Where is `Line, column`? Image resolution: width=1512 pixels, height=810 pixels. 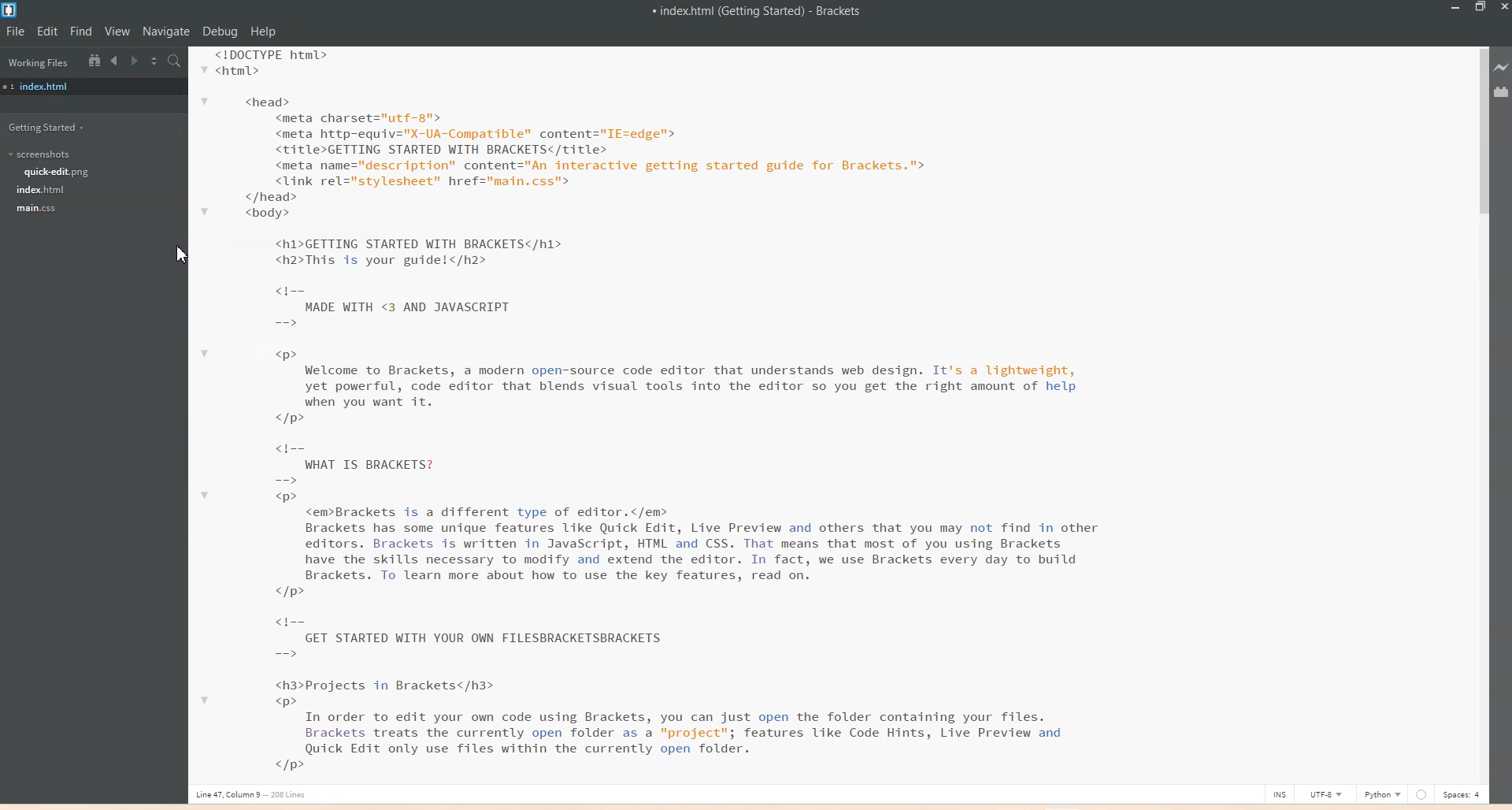
Line, column is located at coordinates (254, 797).